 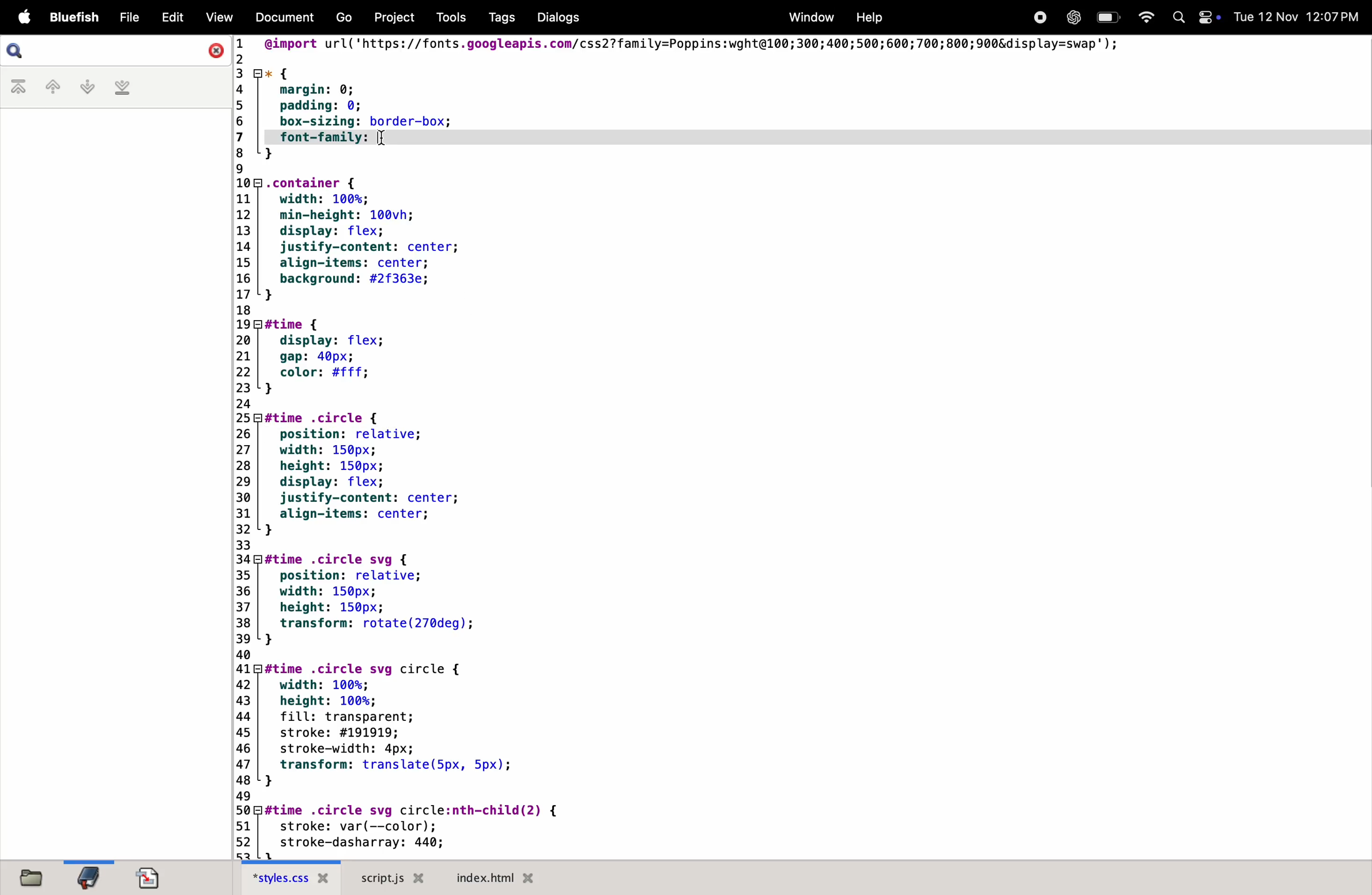 I want to click on previous bookmark, so click(x=46, y=87).